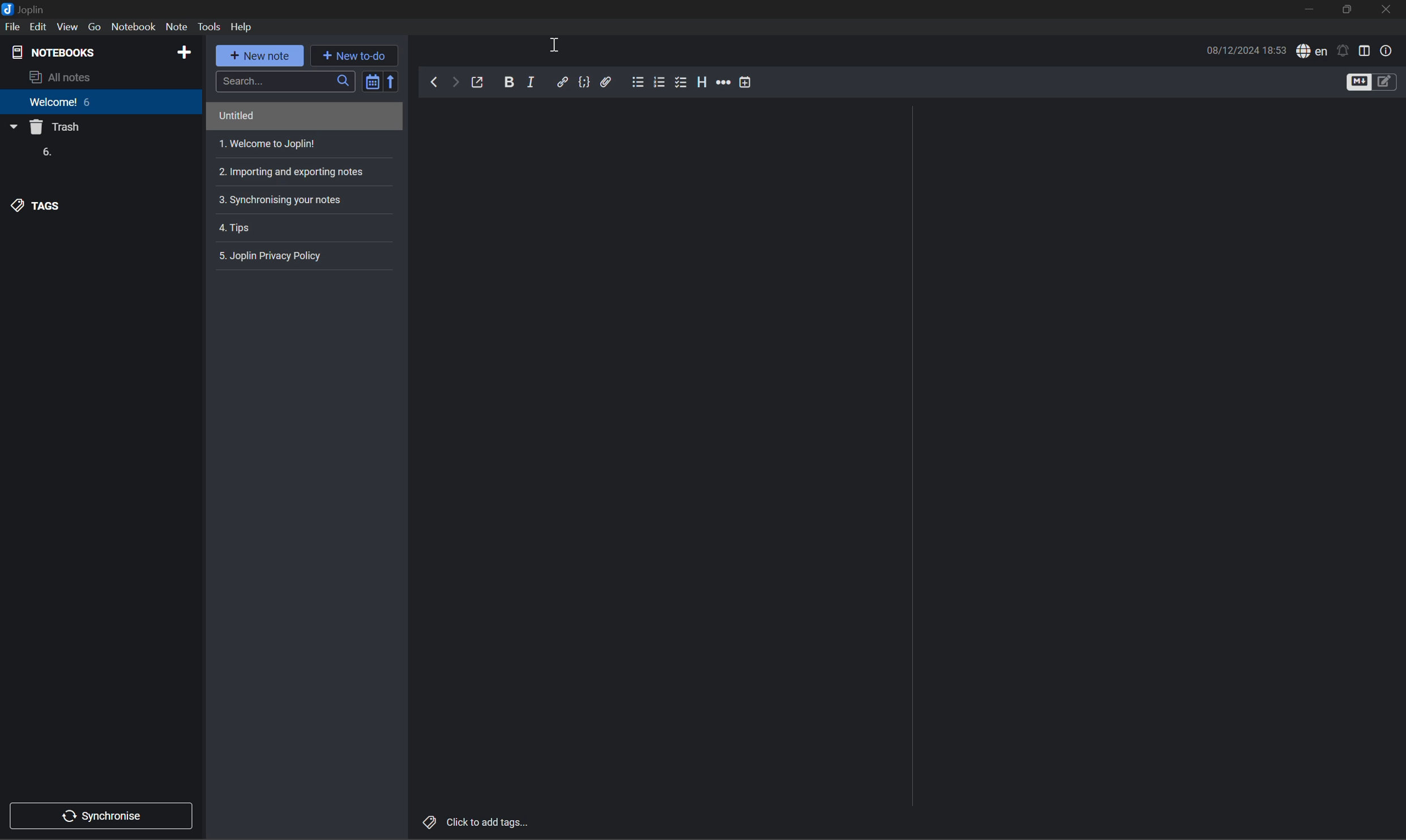 The image size is (1406, 840). What do you see at coordinates (69, 26) in the screenshot?
I see `View` at bounding box center [69, 26].